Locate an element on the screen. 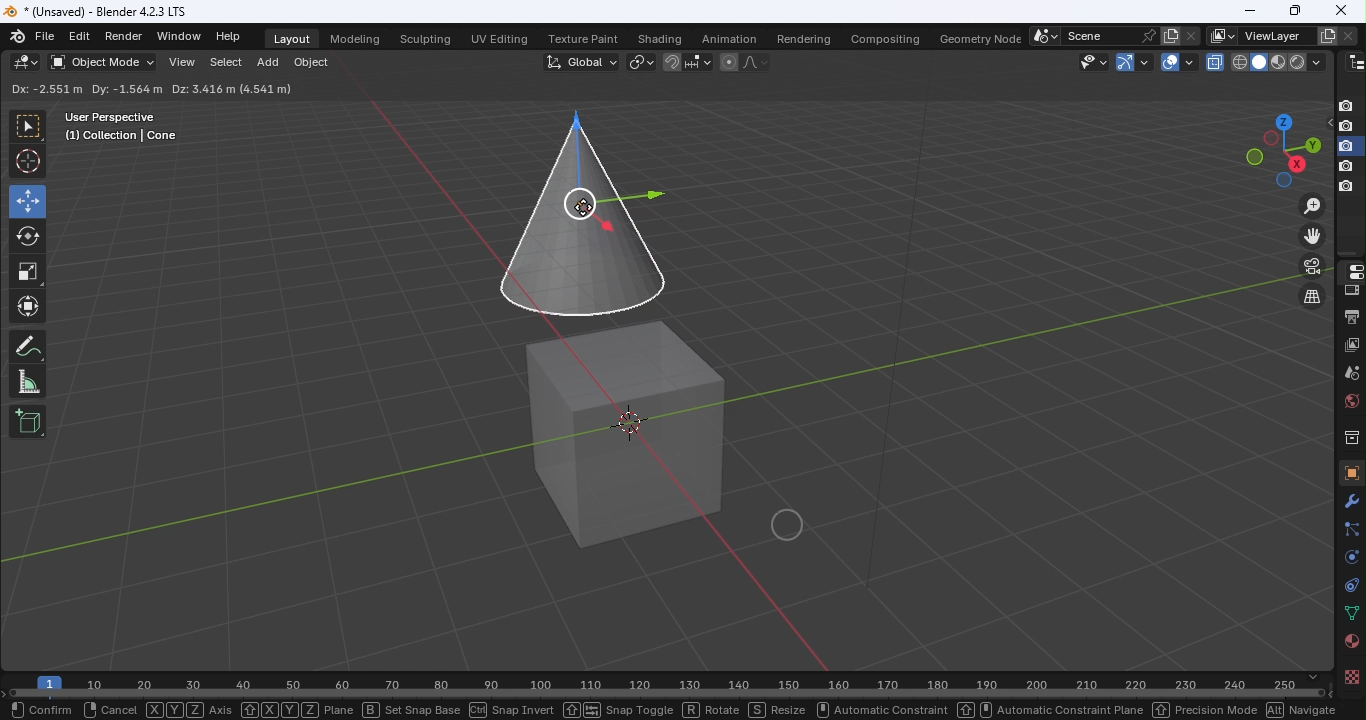 Image resolution: width=1366 pixels, height=720 pixels. Scene is located at coordinates (1351, 372).